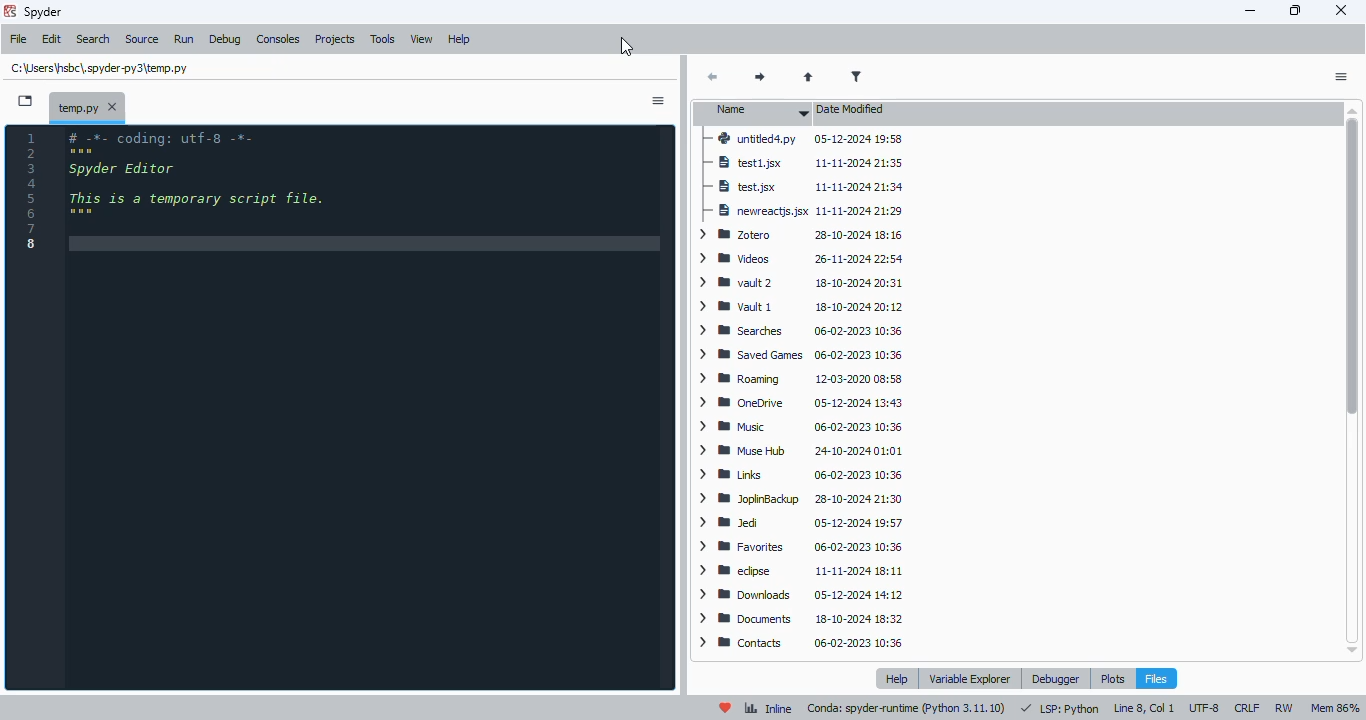 This screenshot has height=720, width=1366. Describe the element at coordinates (858, 77) in the screenshot. I see `filter filenames` at that location.